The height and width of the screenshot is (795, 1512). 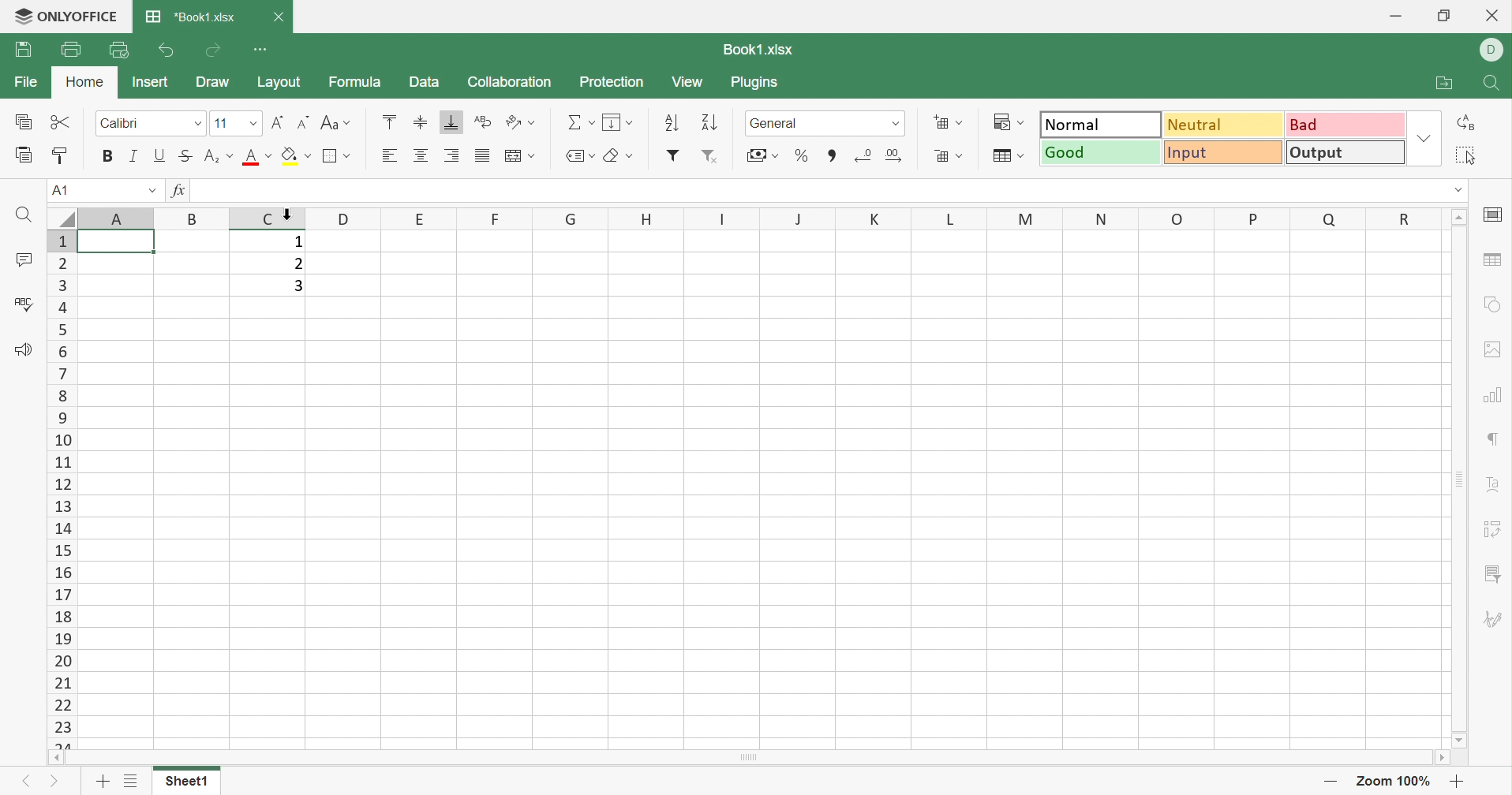 I want to click on Cut, so click(x=61, y=123).